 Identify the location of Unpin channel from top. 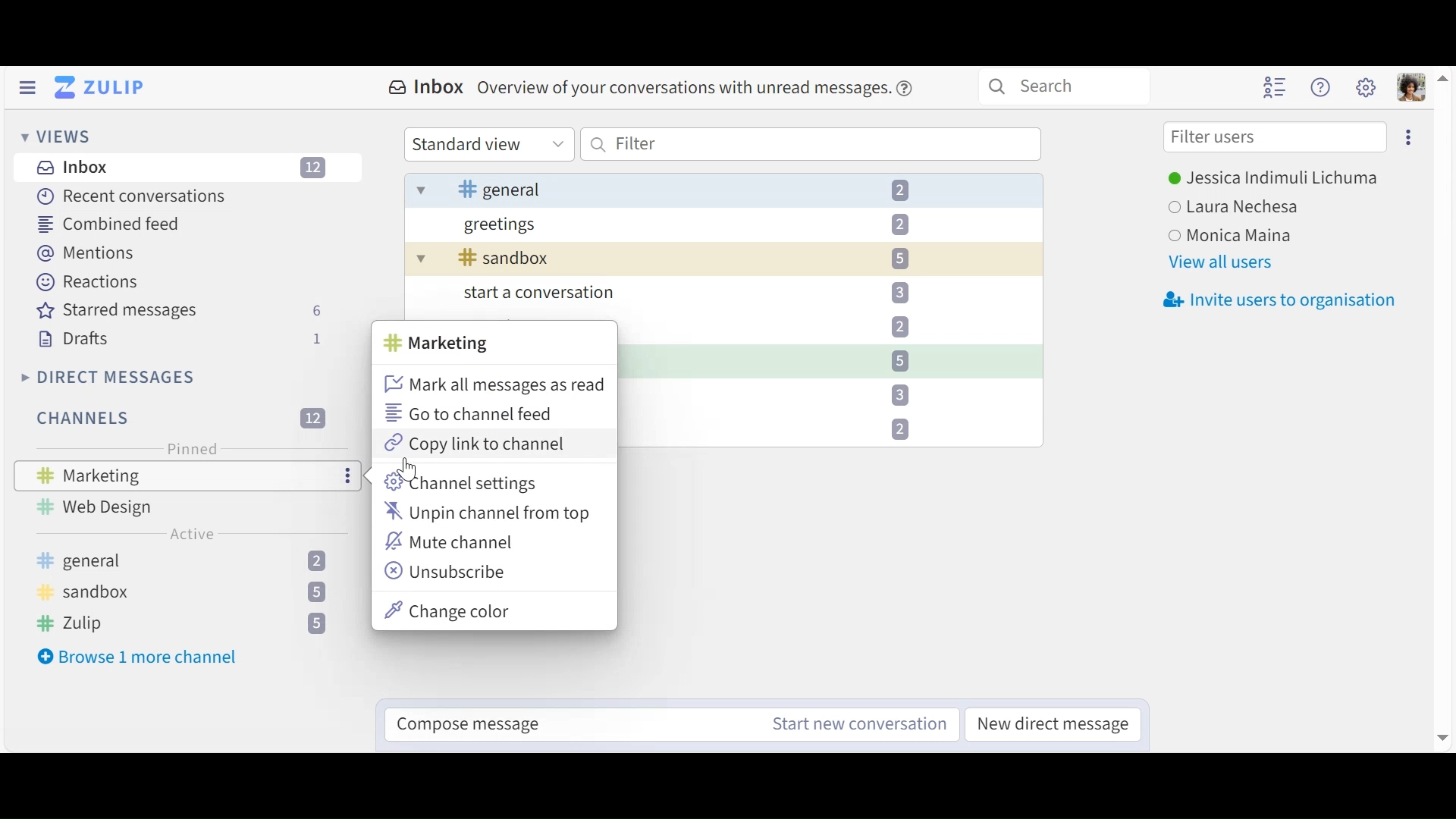
(489, 513).